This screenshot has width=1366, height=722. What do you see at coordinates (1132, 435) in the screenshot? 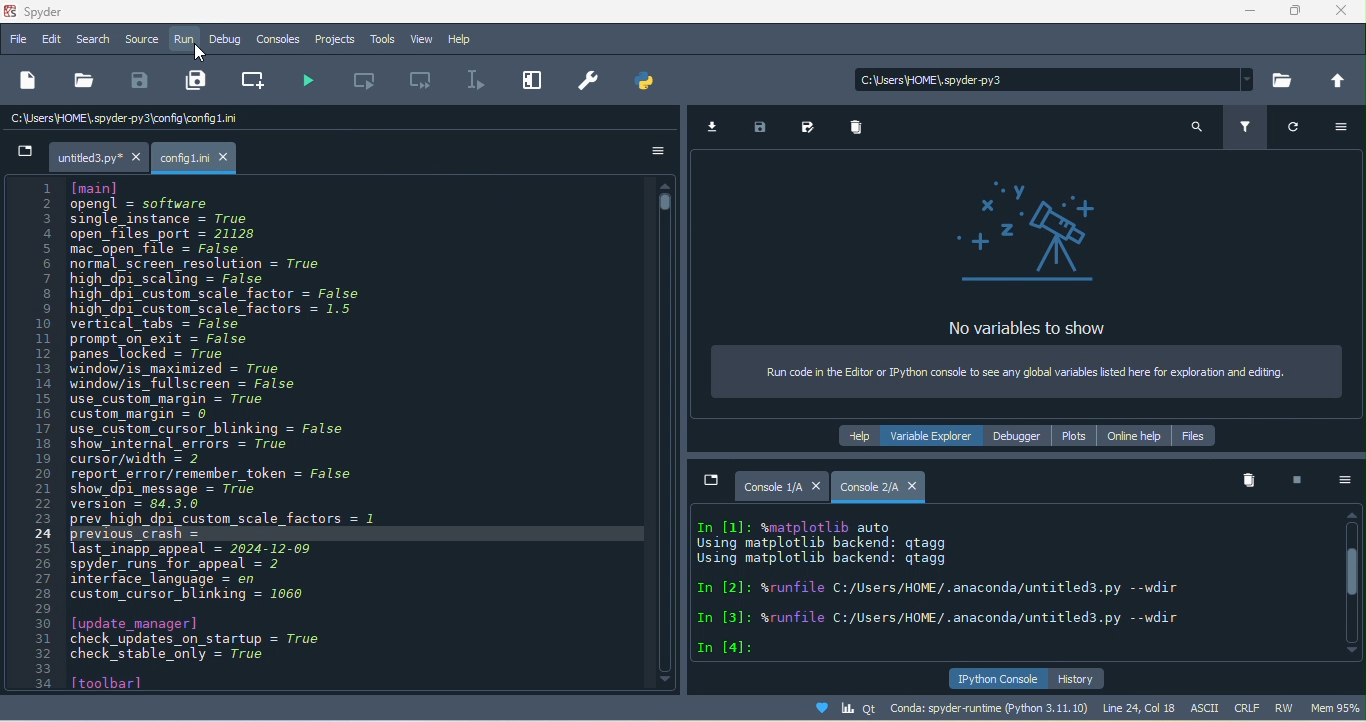
I see `online help` at bounding box center [1132, 435].